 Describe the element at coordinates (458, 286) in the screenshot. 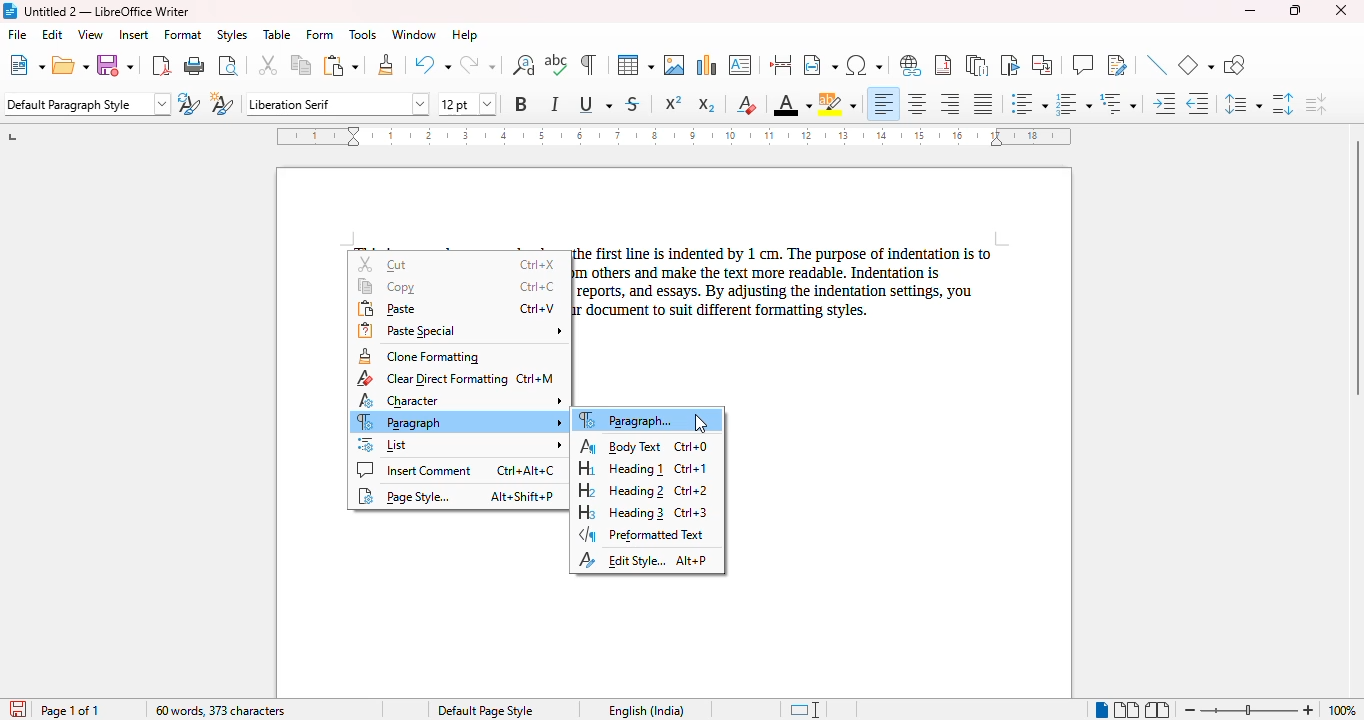

I see `copy` at that location.